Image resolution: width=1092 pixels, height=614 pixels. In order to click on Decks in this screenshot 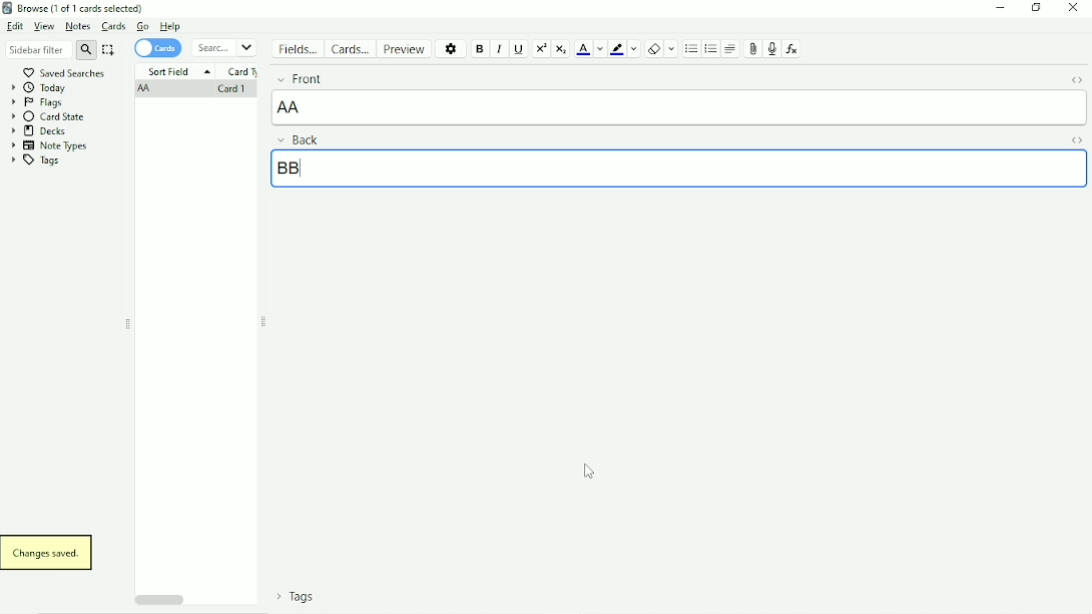, I will do `click(39, 131)`.